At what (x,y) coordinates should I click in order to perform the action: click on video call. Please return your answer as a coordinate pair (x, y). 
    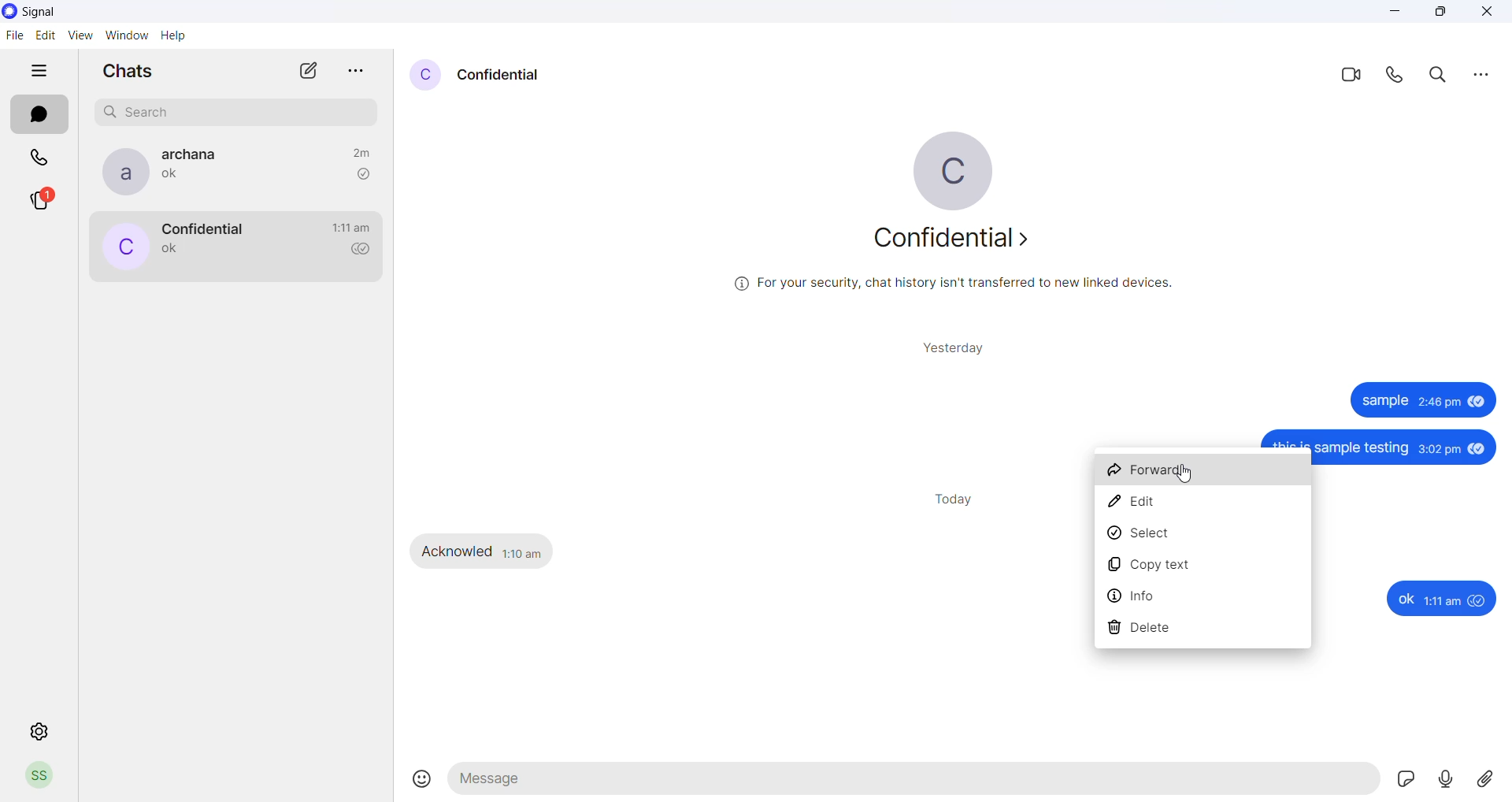
    Looking at the image, I should click on (1349, 73).